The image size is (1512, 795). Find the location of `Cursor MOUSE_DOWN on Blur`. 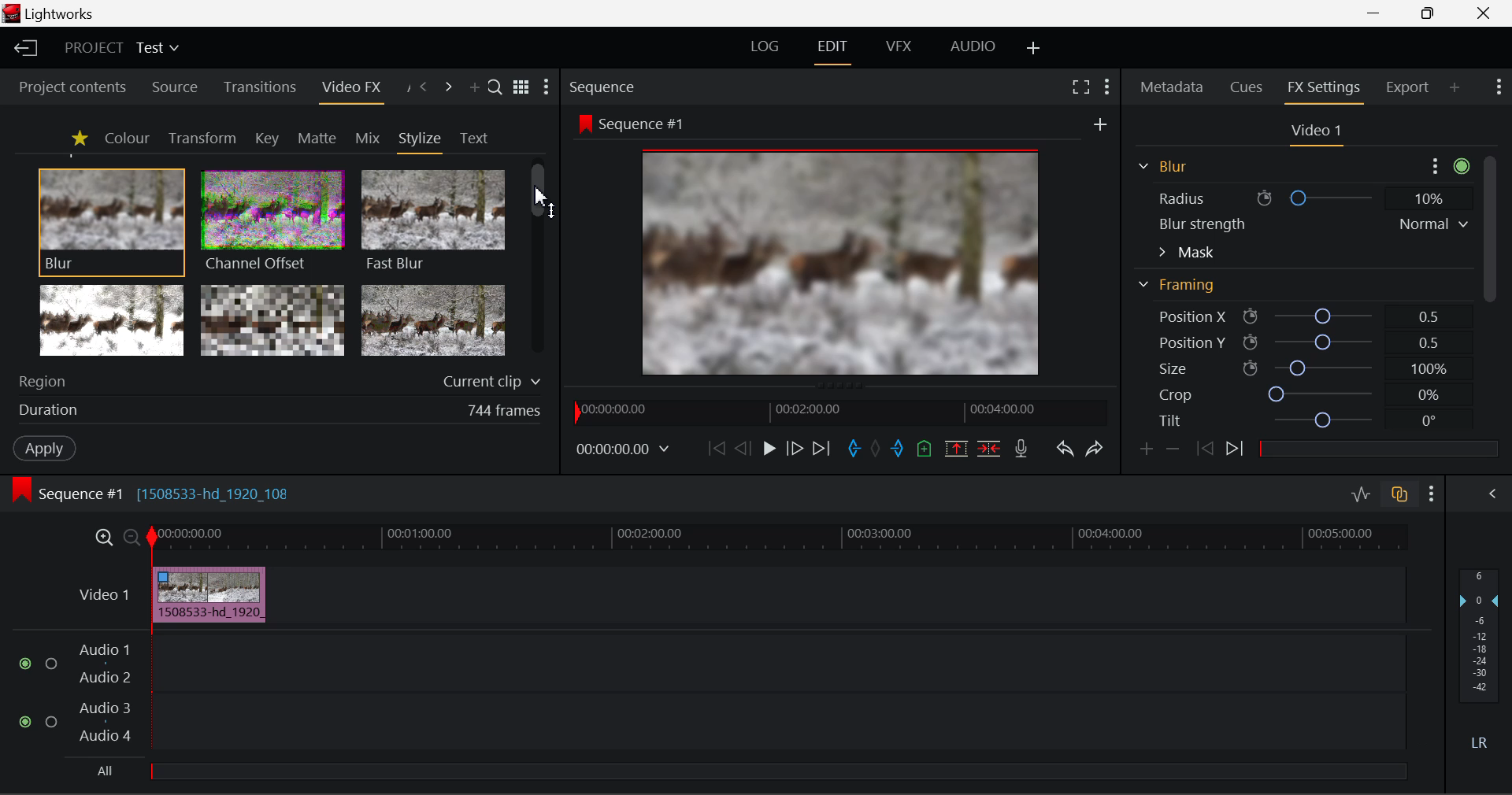

Cursor MOUSE_DOWN on Blur is located at coordinates (112, 220).